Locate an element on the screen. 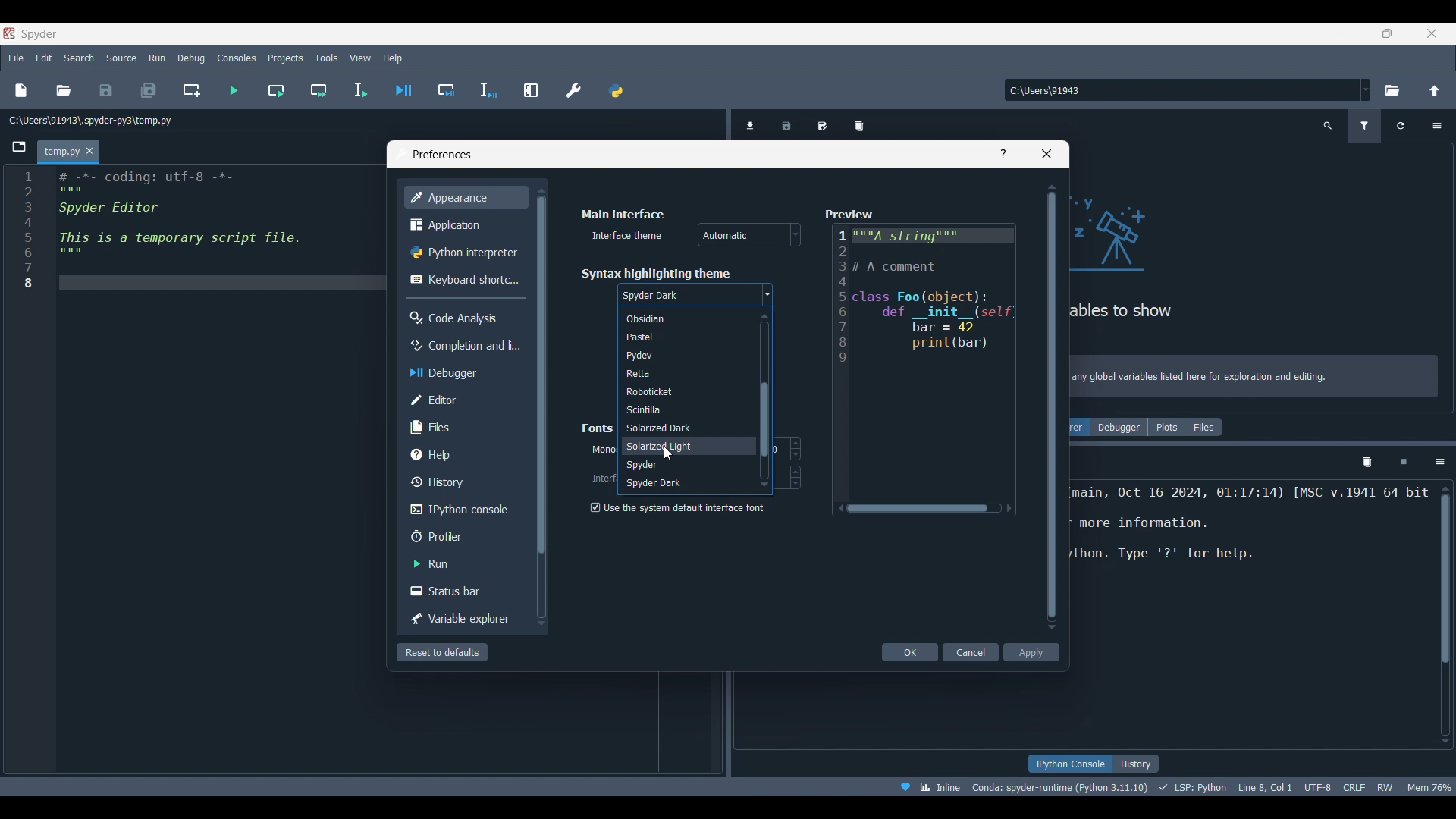  Save all files is located at coordinates (149, 90).